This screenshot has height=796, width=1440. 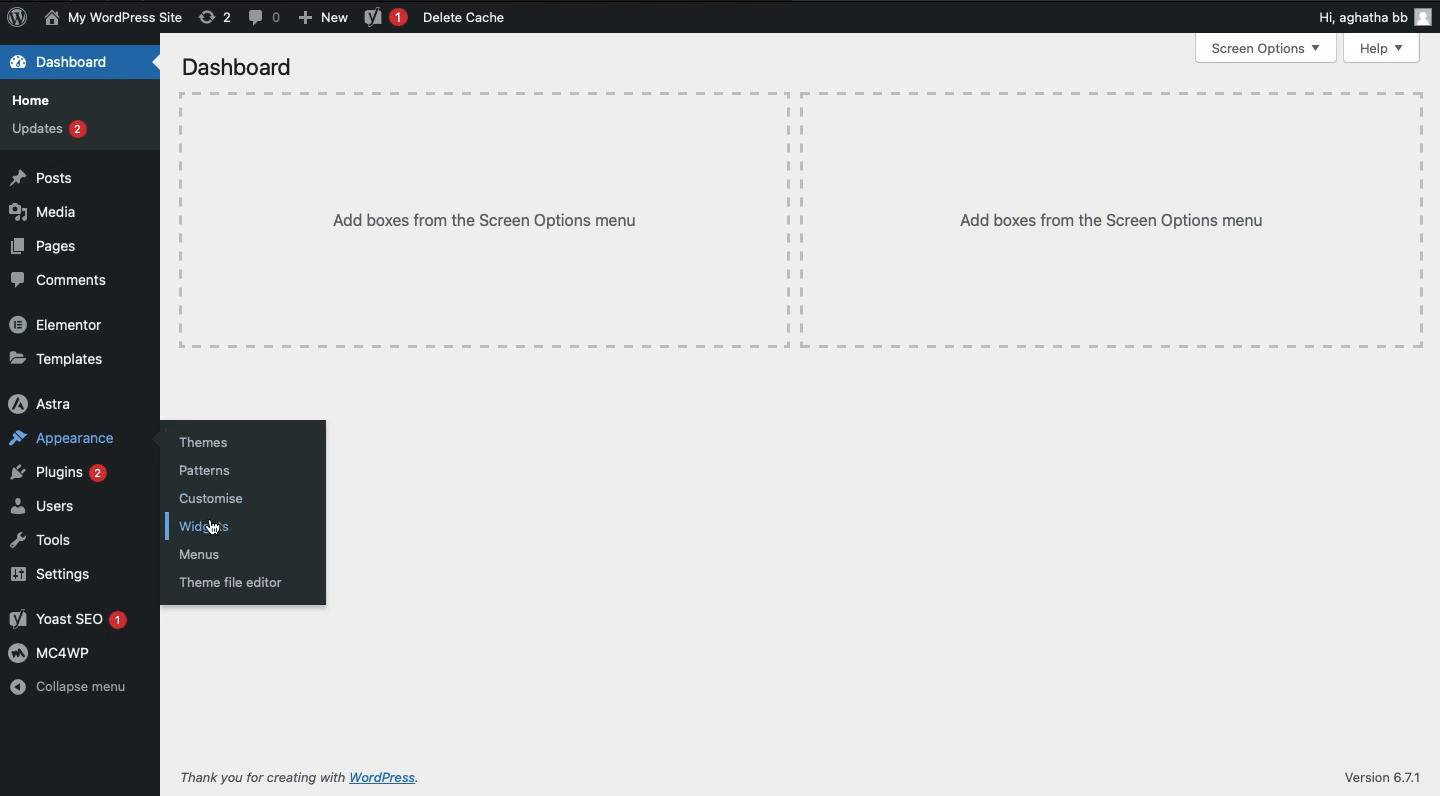 I want to click on Theme file editor, so click(x=234, y=586).